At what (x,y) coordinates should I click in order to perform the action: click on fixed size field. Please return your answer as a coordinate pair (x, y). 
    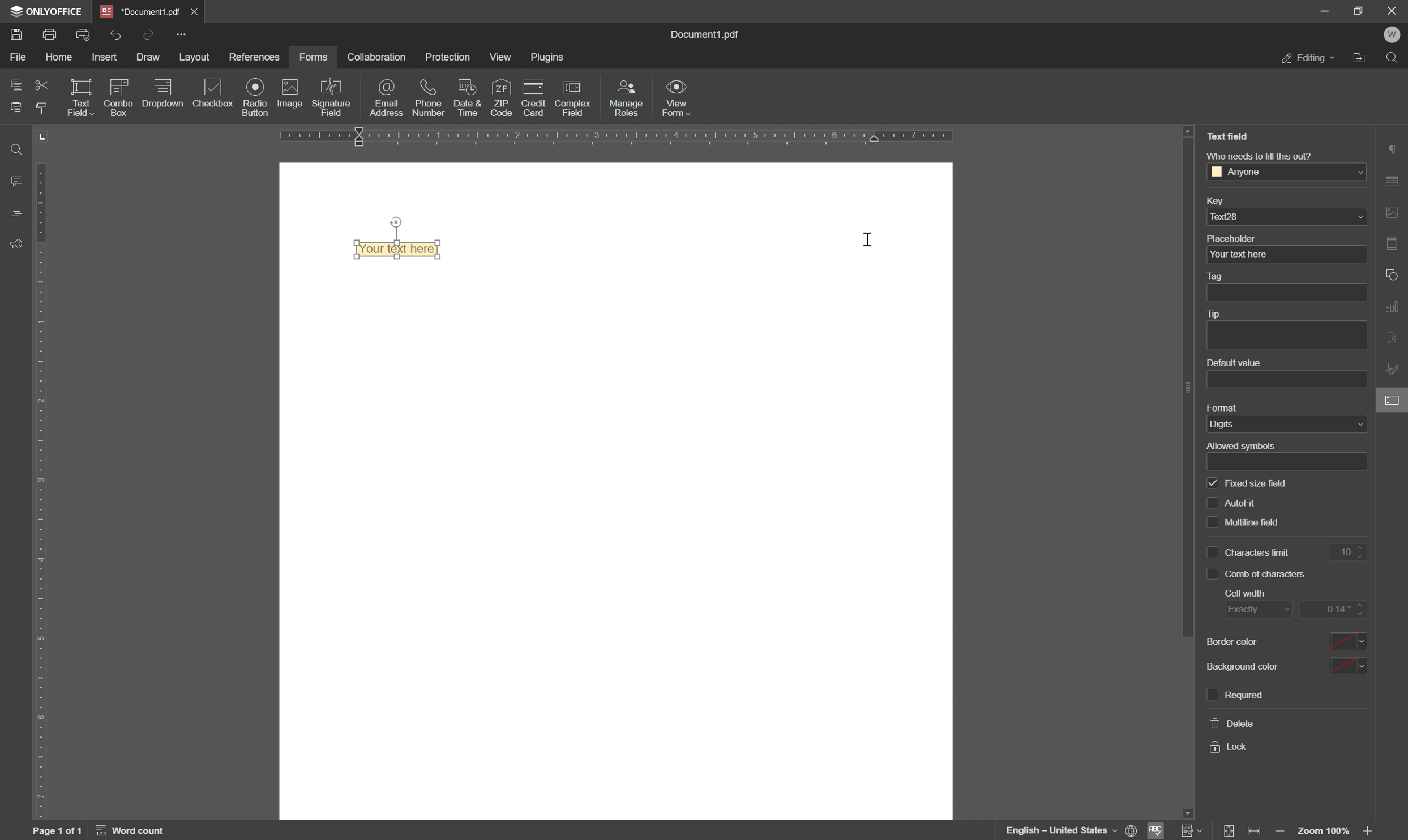
    Looking at the image, I should click on (1247, 484).